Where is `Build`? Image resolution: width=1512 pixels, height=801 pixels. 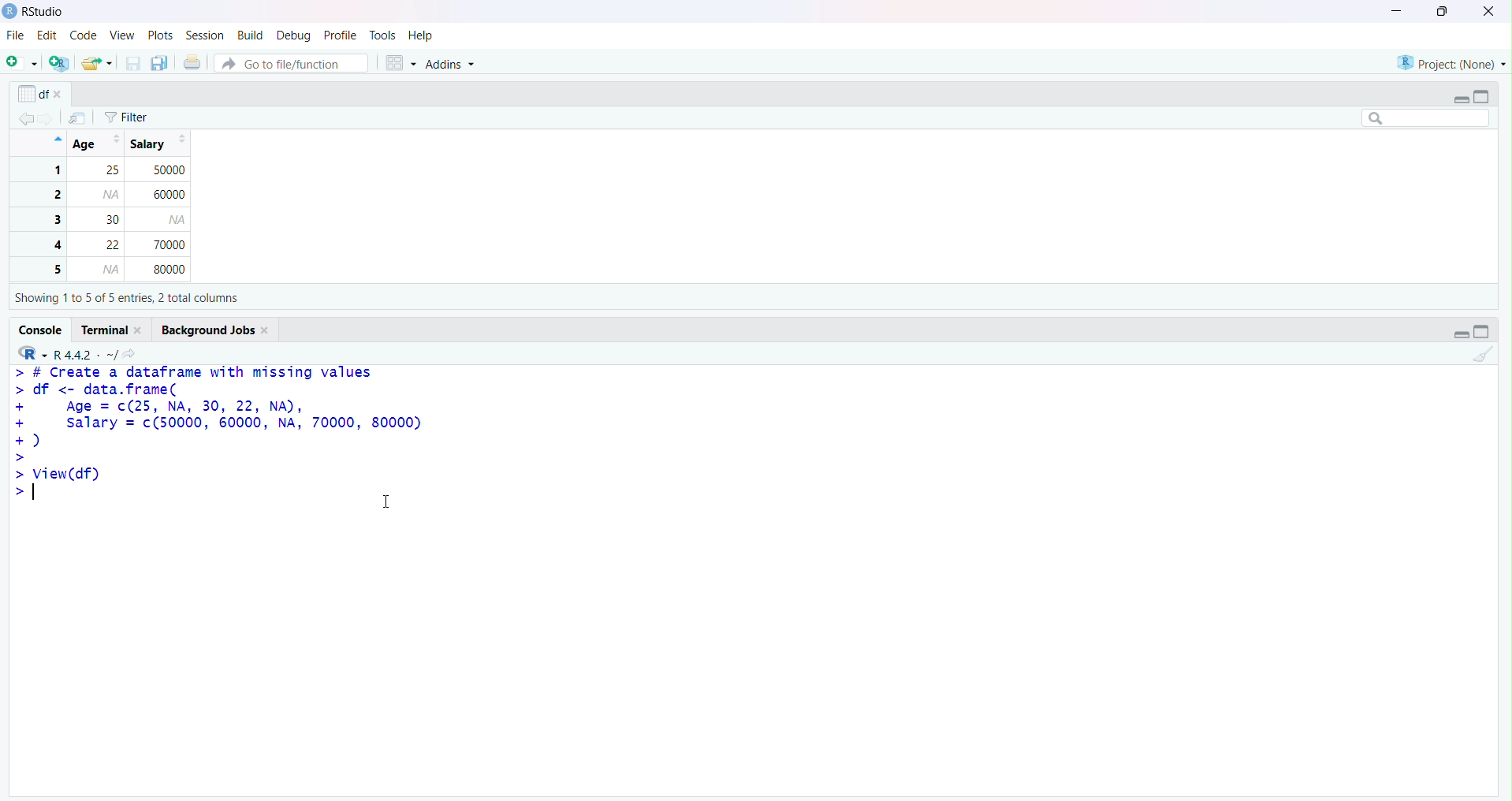
Build is located at coordinates (251, 35).